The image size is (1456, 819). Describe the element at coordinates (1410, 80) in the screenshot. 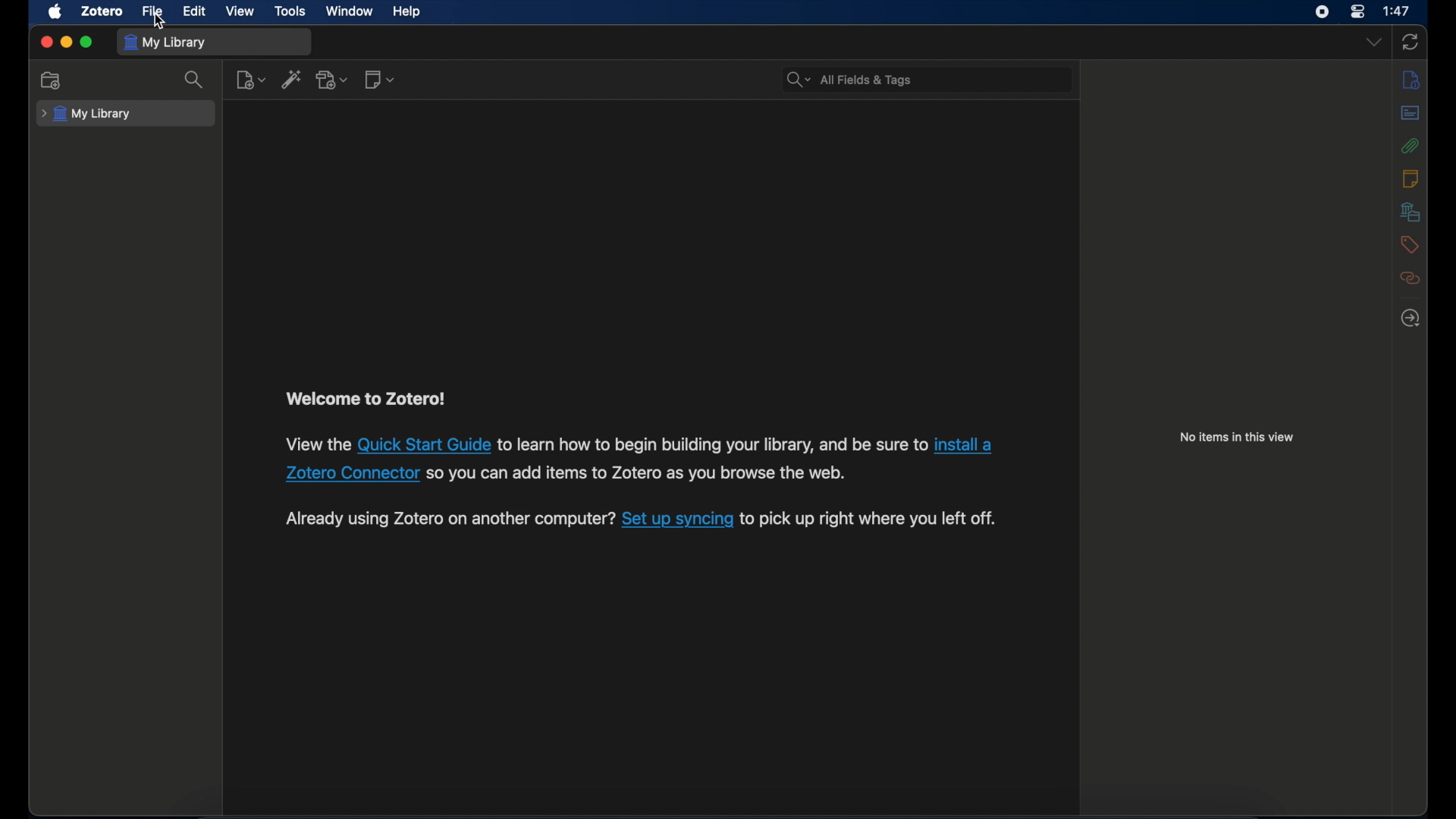

I see `info` at that location.